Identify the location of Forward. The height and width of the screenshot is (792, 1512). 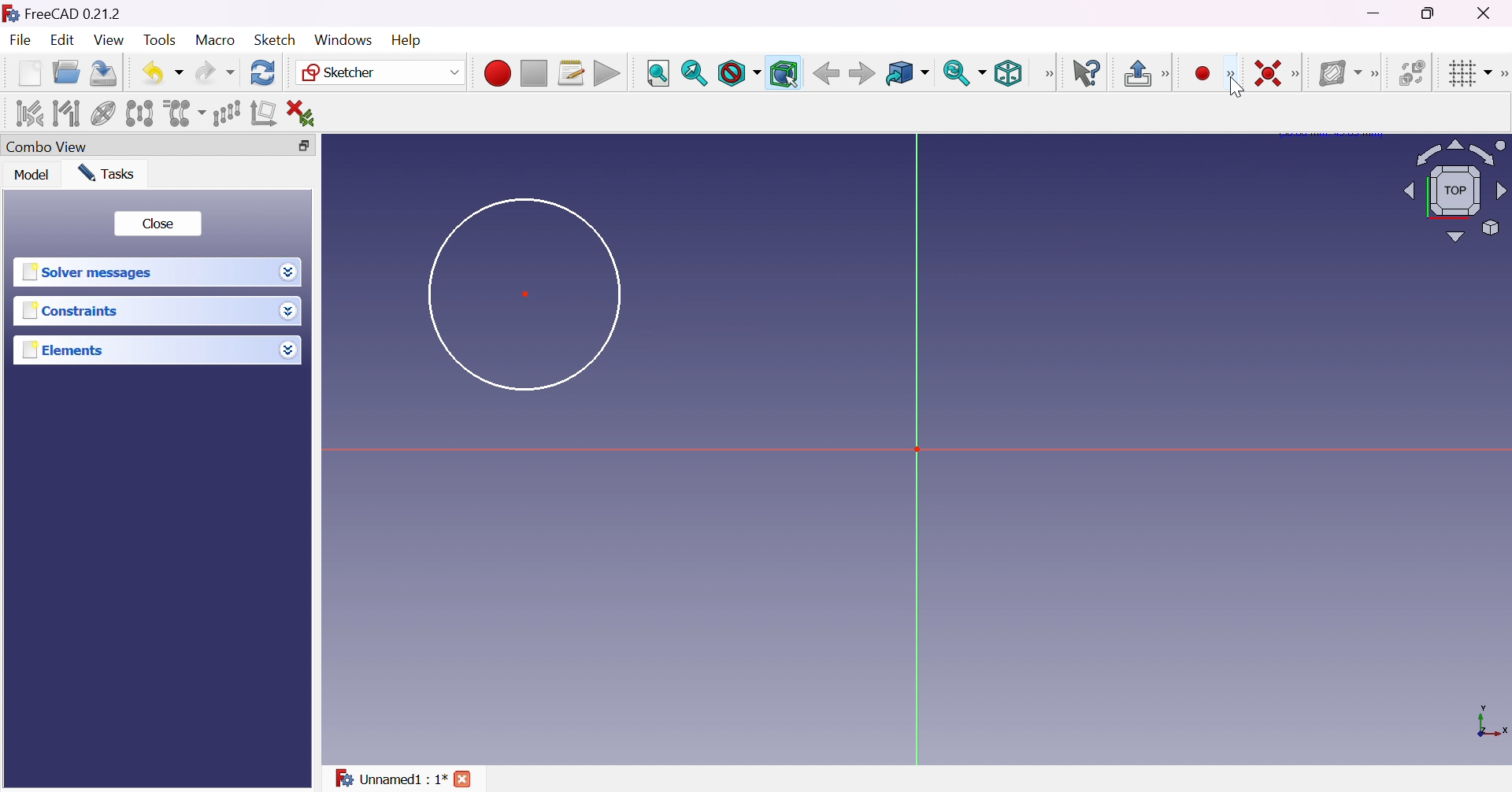
(862, 75).